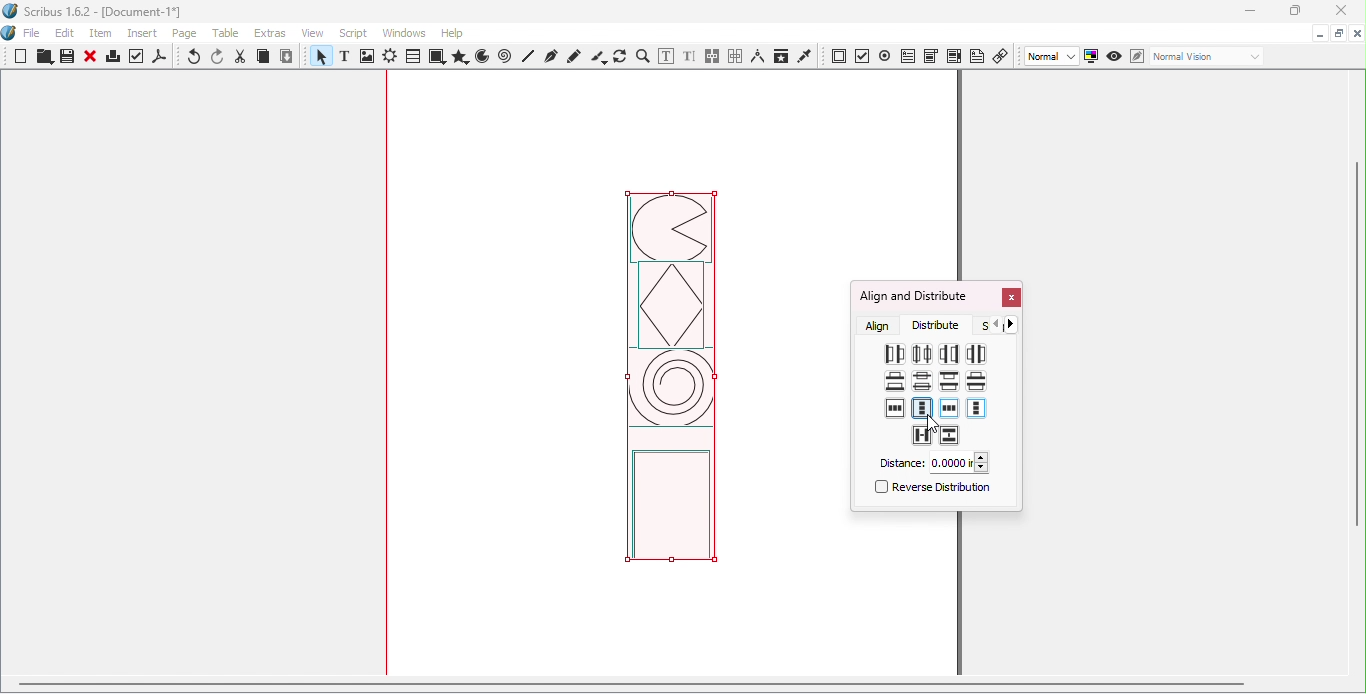 The image size is (1366, 694). I want to click on Close document, so click(1357, 34).